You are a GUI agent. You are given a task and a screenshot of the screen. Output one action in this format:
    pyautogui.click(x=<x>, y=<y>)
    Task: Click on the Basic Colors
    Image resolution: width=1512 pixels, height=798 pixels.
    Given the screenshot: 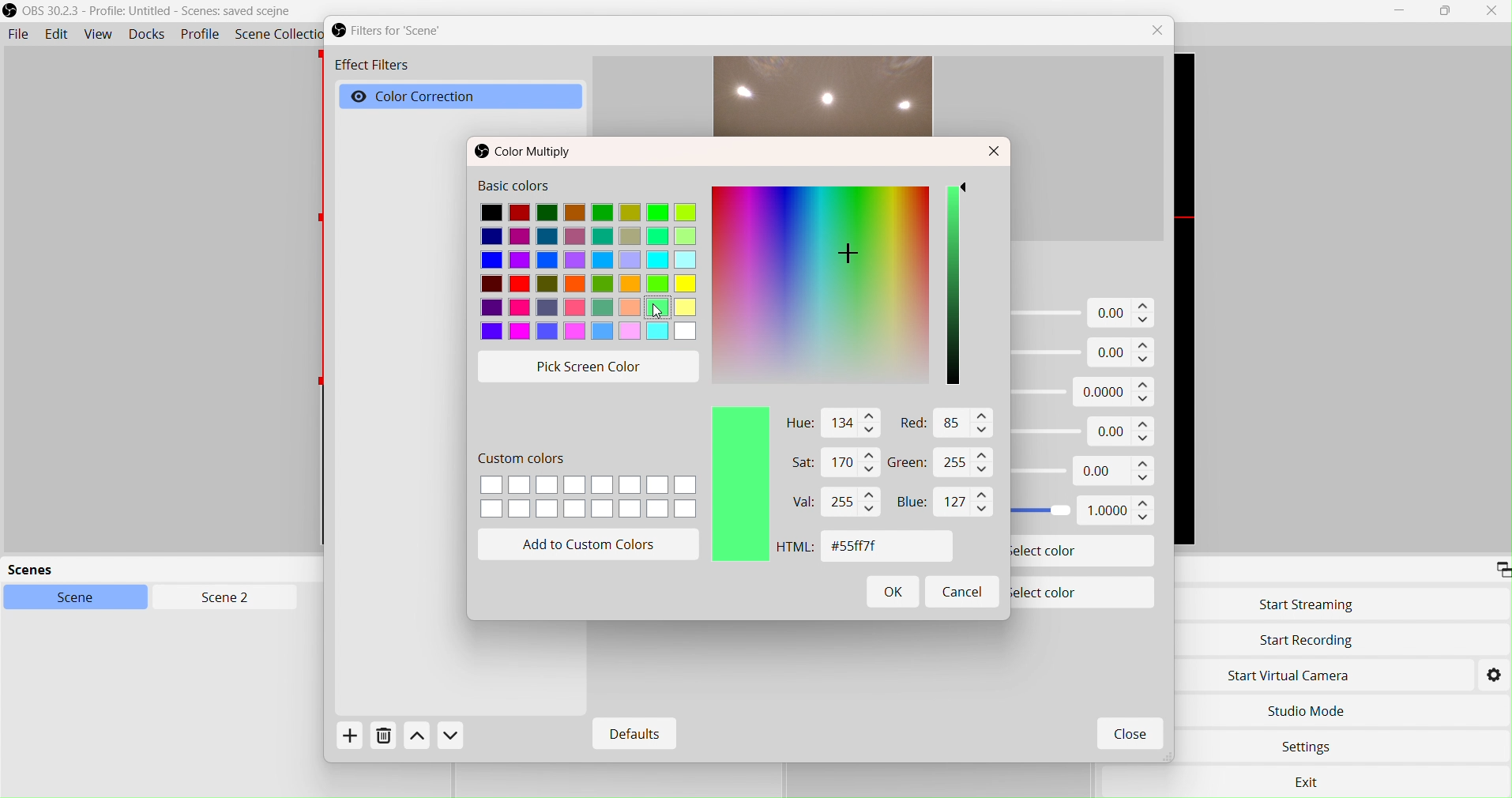 What is the action you would take?
    pyautogui.click(x=589, y=261)
    